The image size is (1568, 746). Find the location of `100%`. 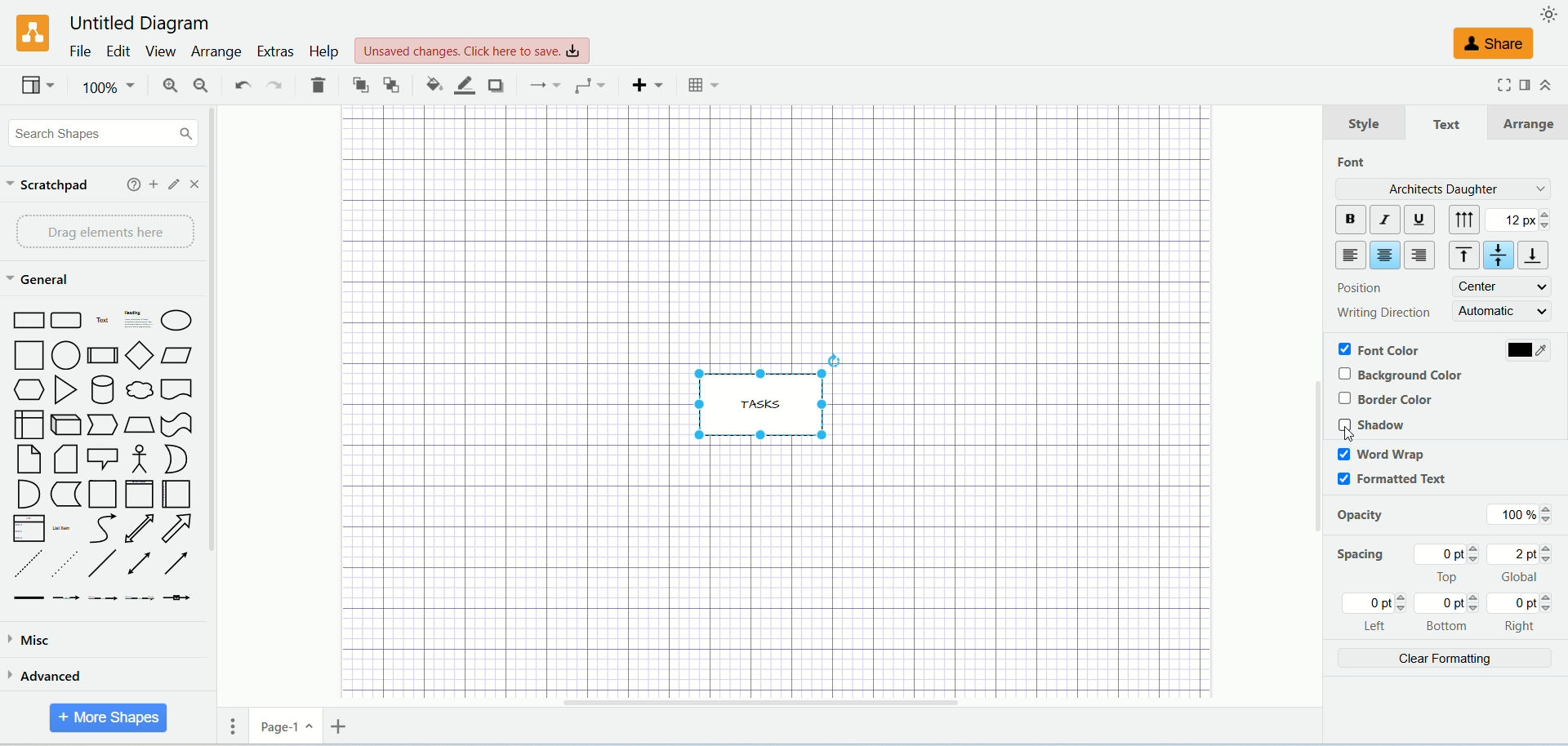

100% is located at coordinates (1516, 513).